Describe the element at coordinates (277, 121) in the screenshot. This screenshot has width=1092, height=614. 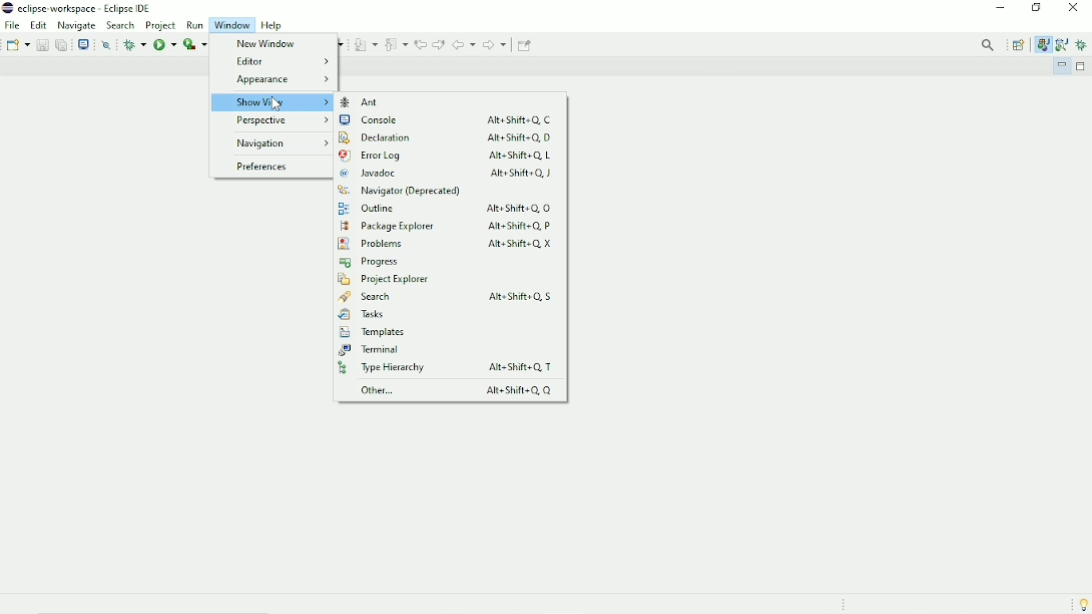
I see `Perspective` at that location.